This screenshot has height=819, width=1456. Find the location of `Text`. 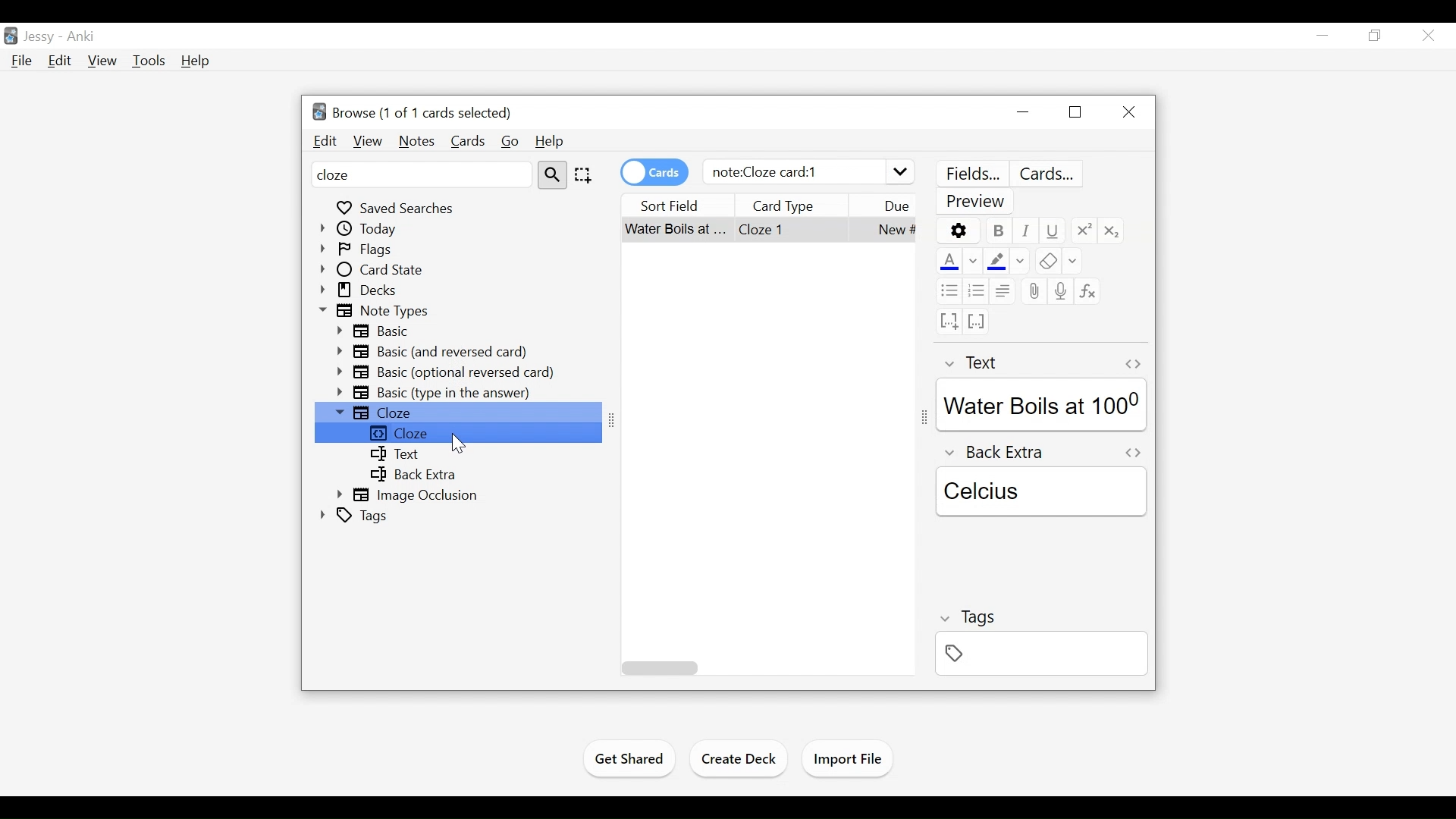

Text is located at coordinates (971, 362).